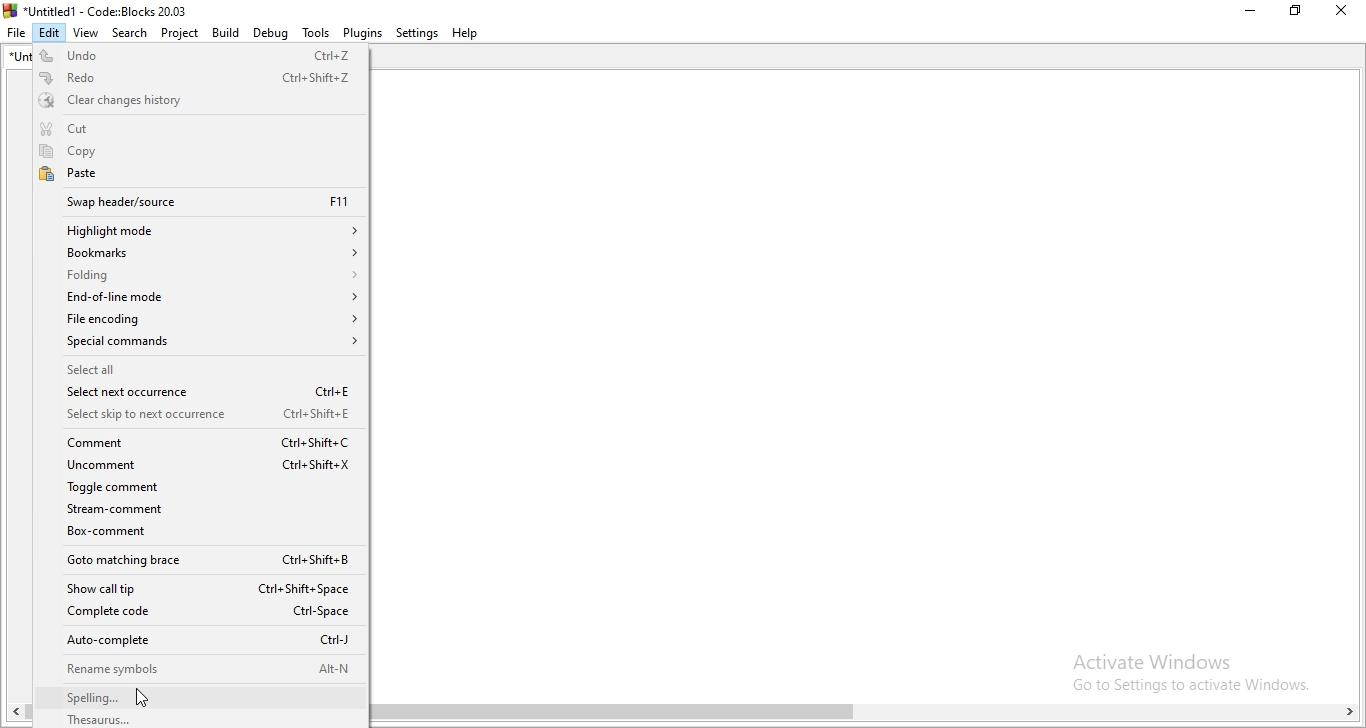  What do you see at coordinates (197, 298) in the screenshot?
I see `End-of-line mode` at bounding box center [197, 298].